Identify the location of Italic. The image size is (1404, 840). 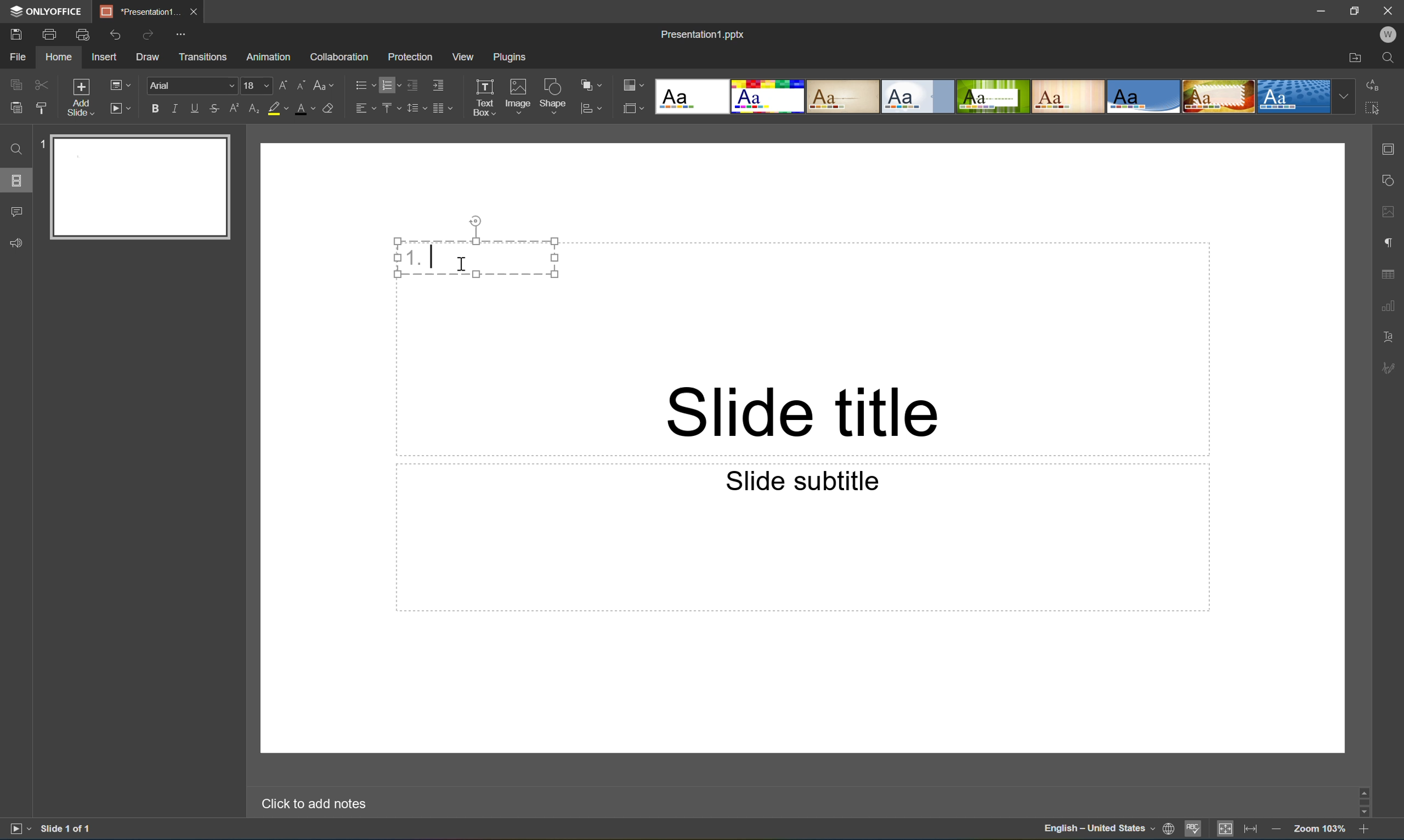
(179, 108).